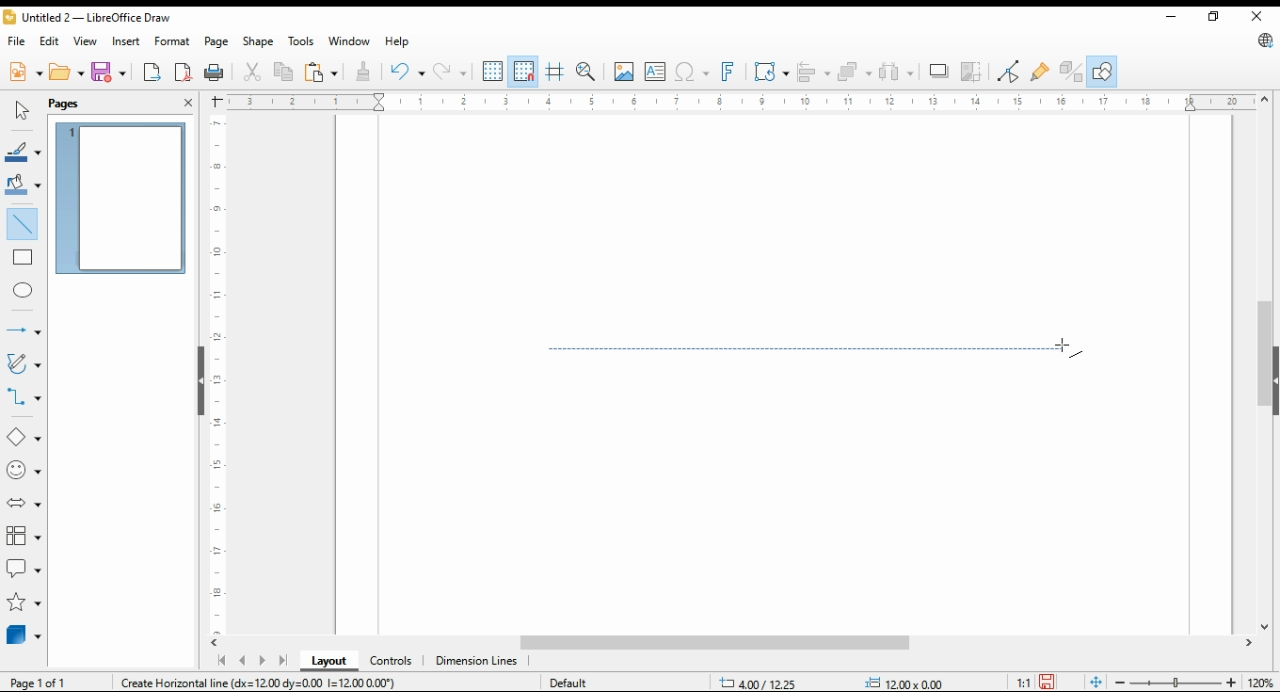 This screenshot has width=1280, height=692. Describe the element at coordinates (905, 682) in the screenshot. I see `0.00x0.00` at that location.